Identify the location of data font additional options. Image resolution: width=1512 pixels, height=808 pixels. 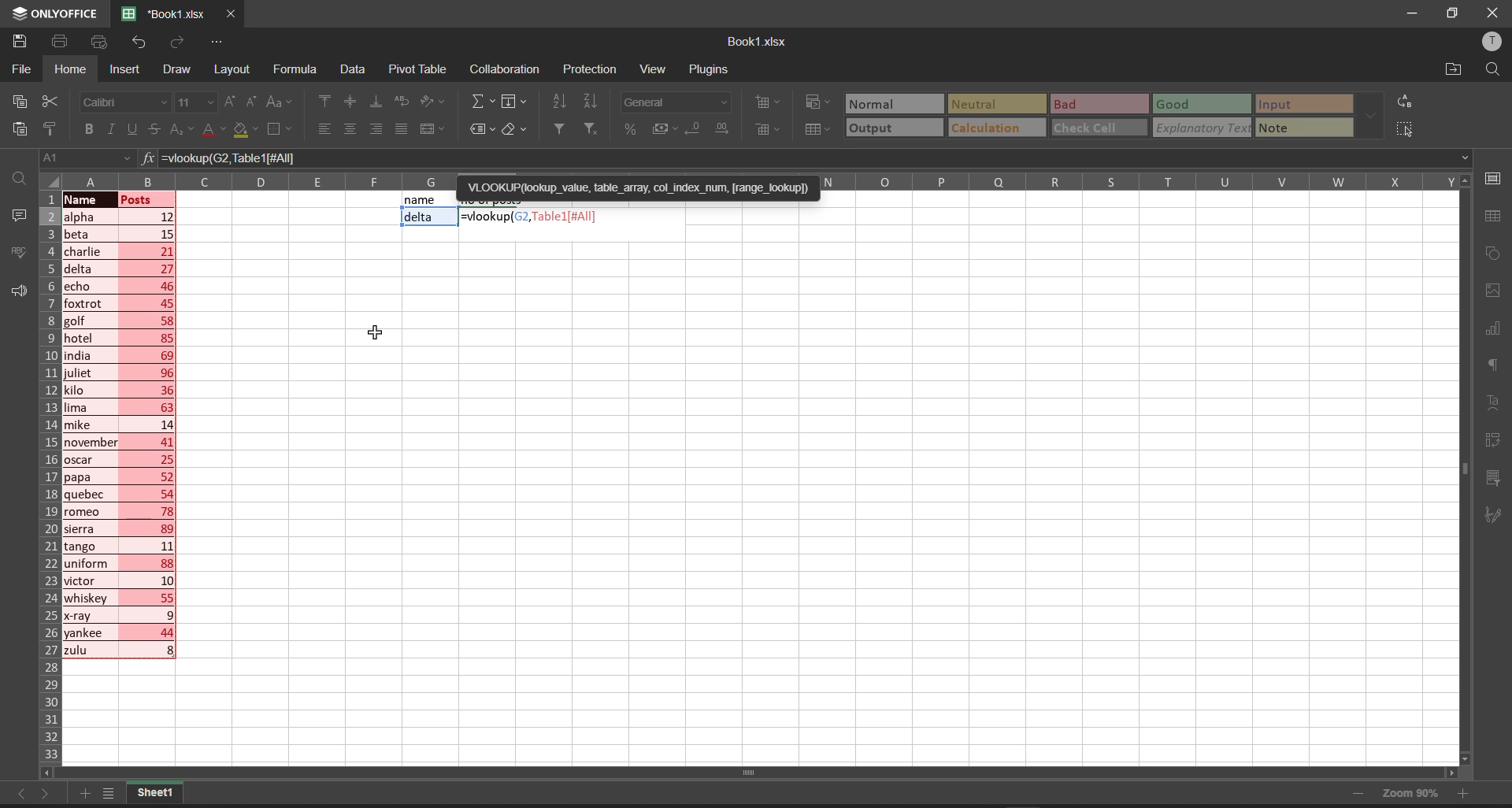
(1369, 112).